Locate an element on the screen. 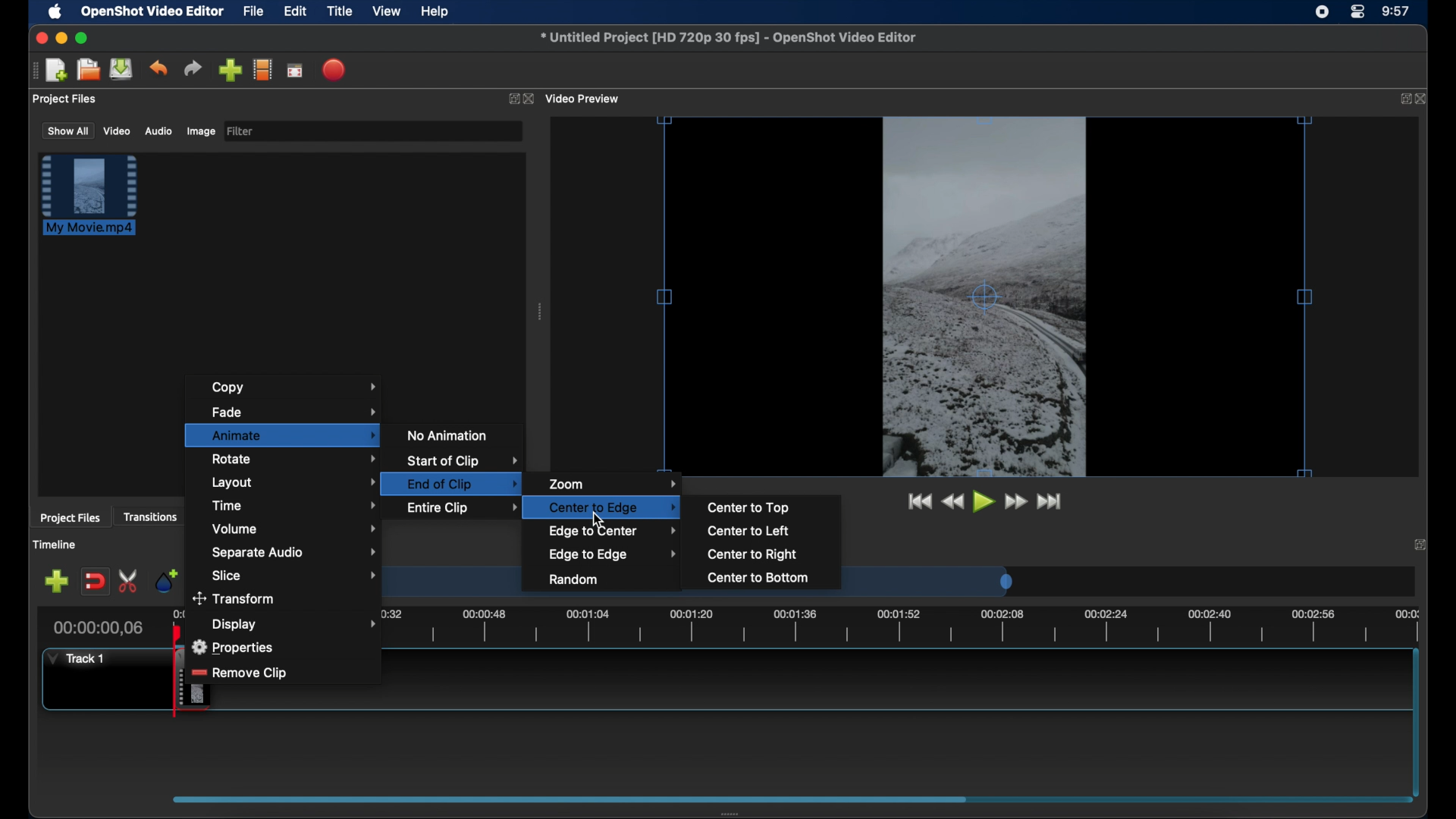 The height and width of the screenshot is (819, 1456). rewind is located at coordinates (952, 502).